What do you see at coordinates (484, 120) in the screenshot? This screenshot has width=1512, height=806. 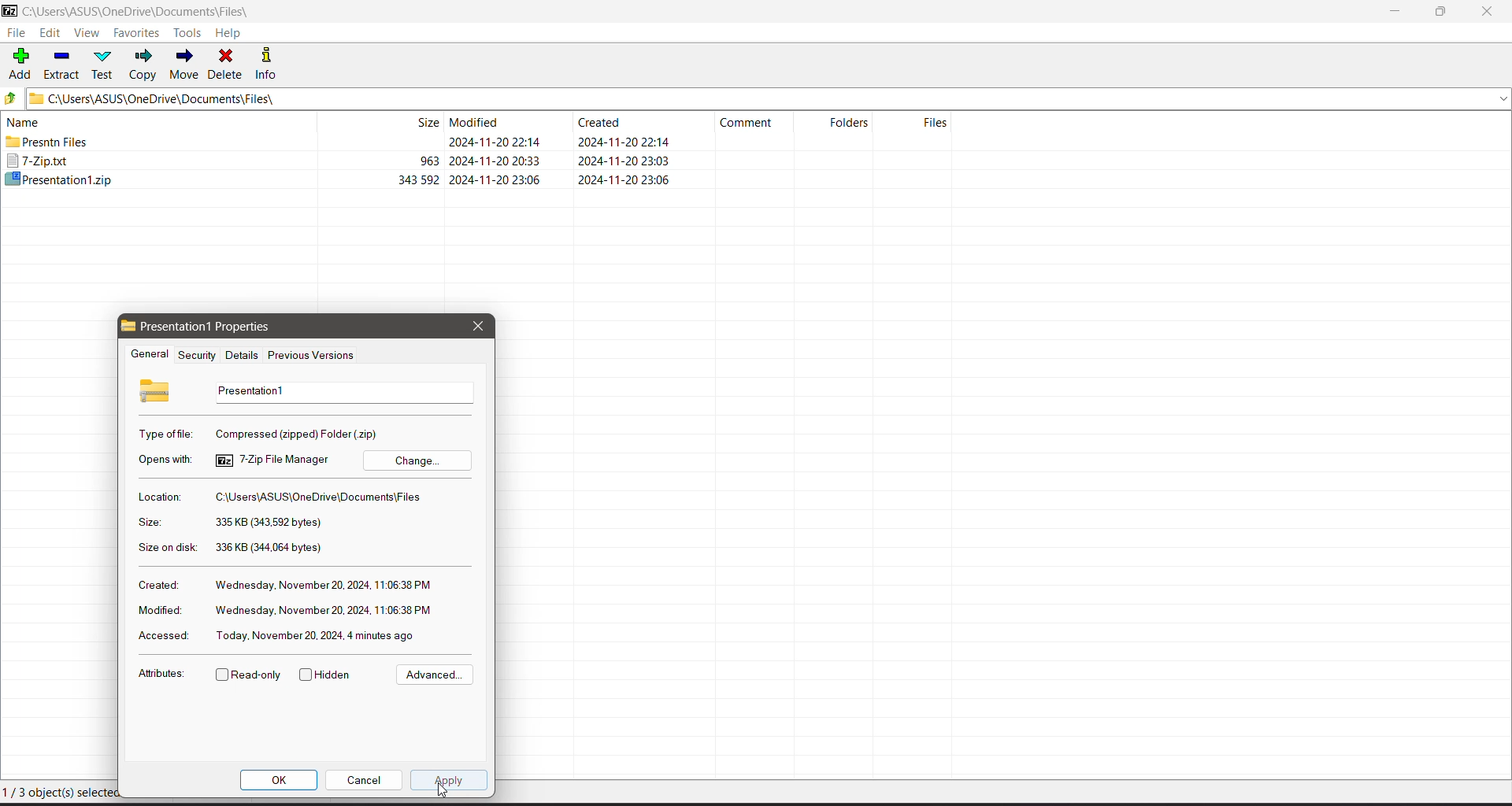 I see `Current Folder View` at bounding box center [484, 120].